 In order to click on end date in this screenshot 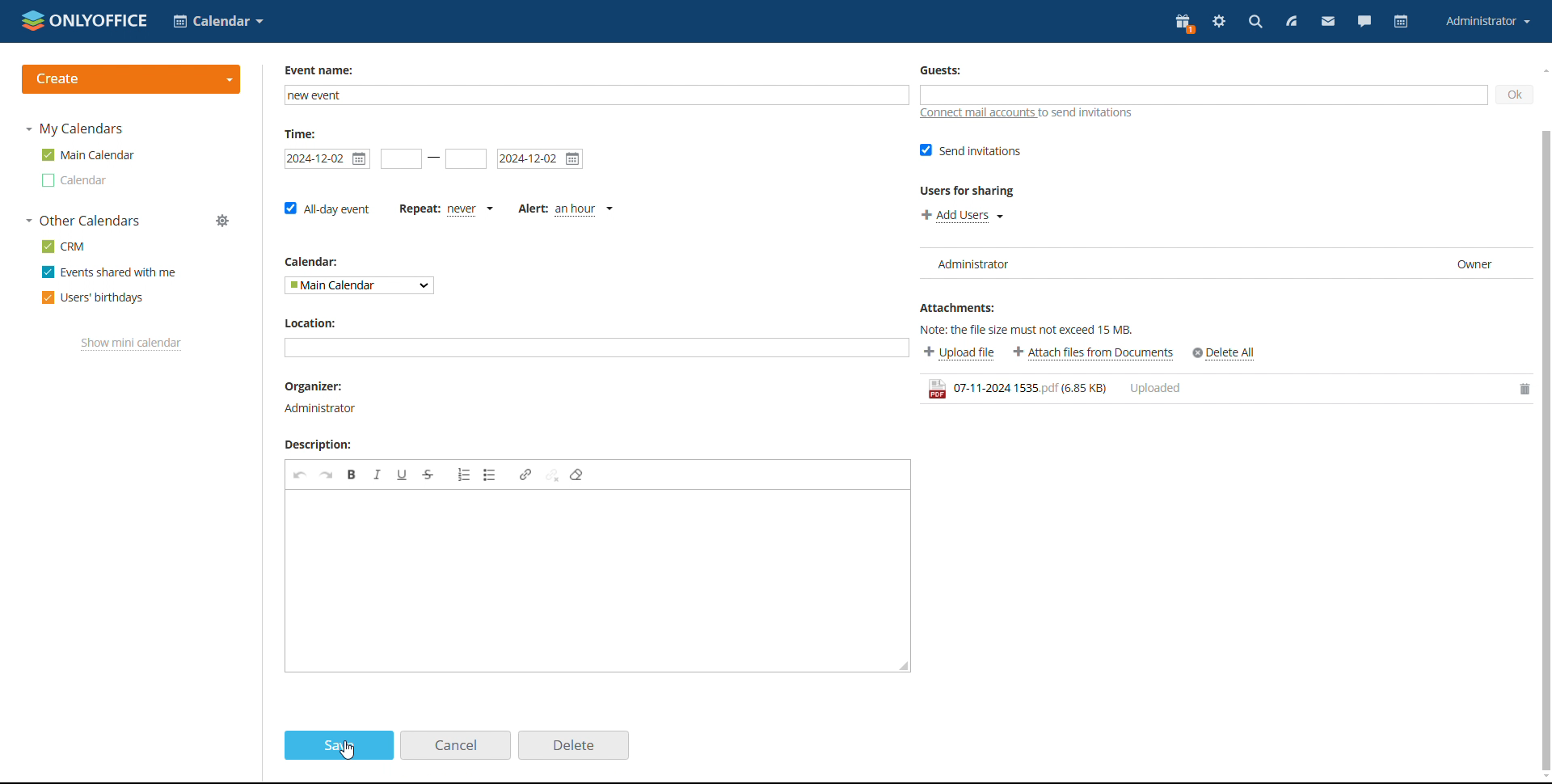, I will do `click(542, 158)`.